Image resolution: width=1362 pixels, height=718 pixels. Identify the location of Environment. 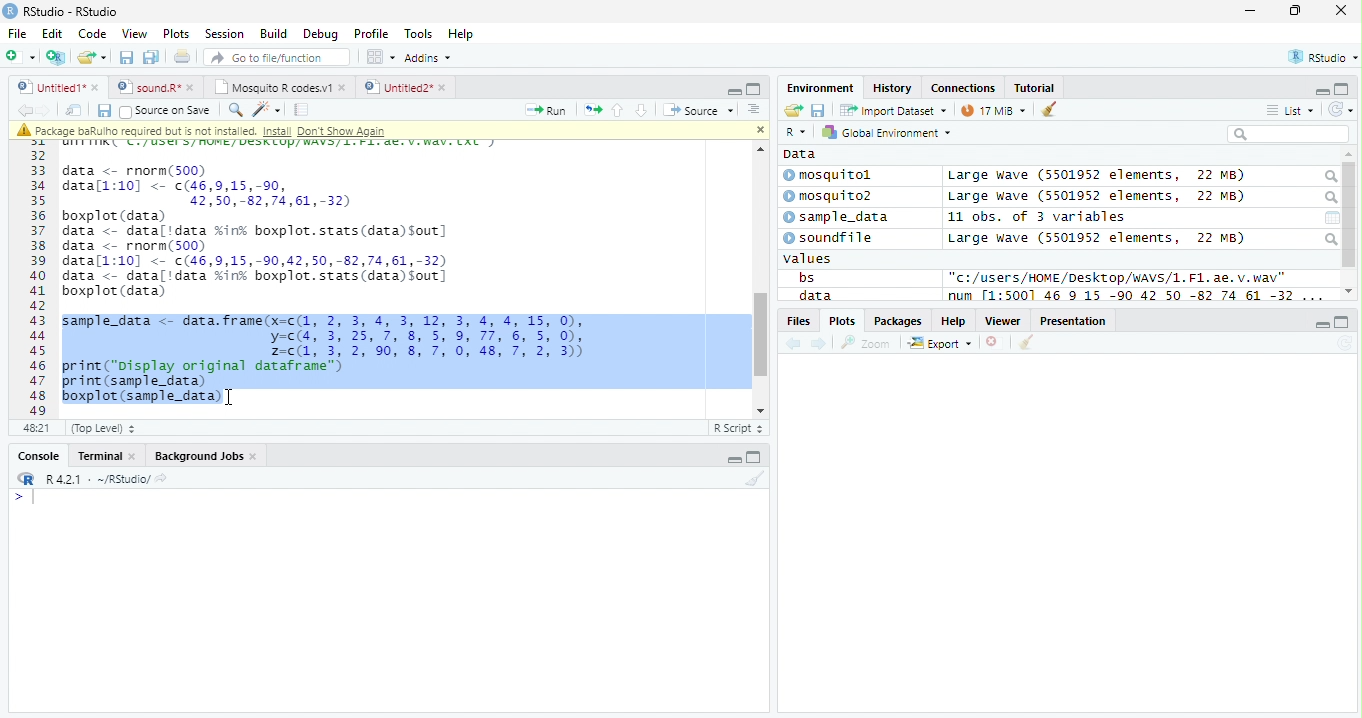
(821, 88).